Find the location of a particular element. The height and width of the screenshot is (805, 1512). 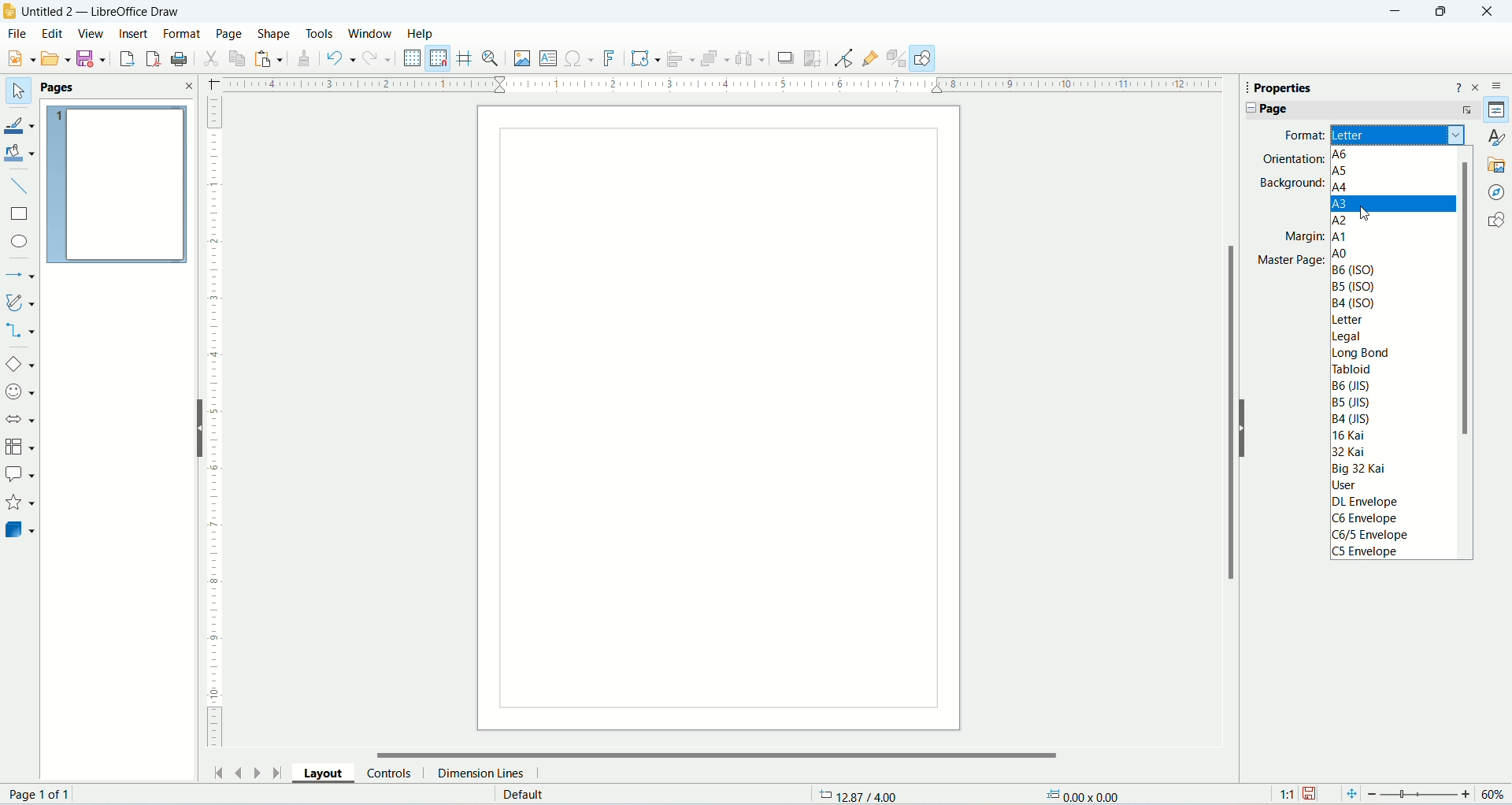

help is located at coordinates (422, 34).